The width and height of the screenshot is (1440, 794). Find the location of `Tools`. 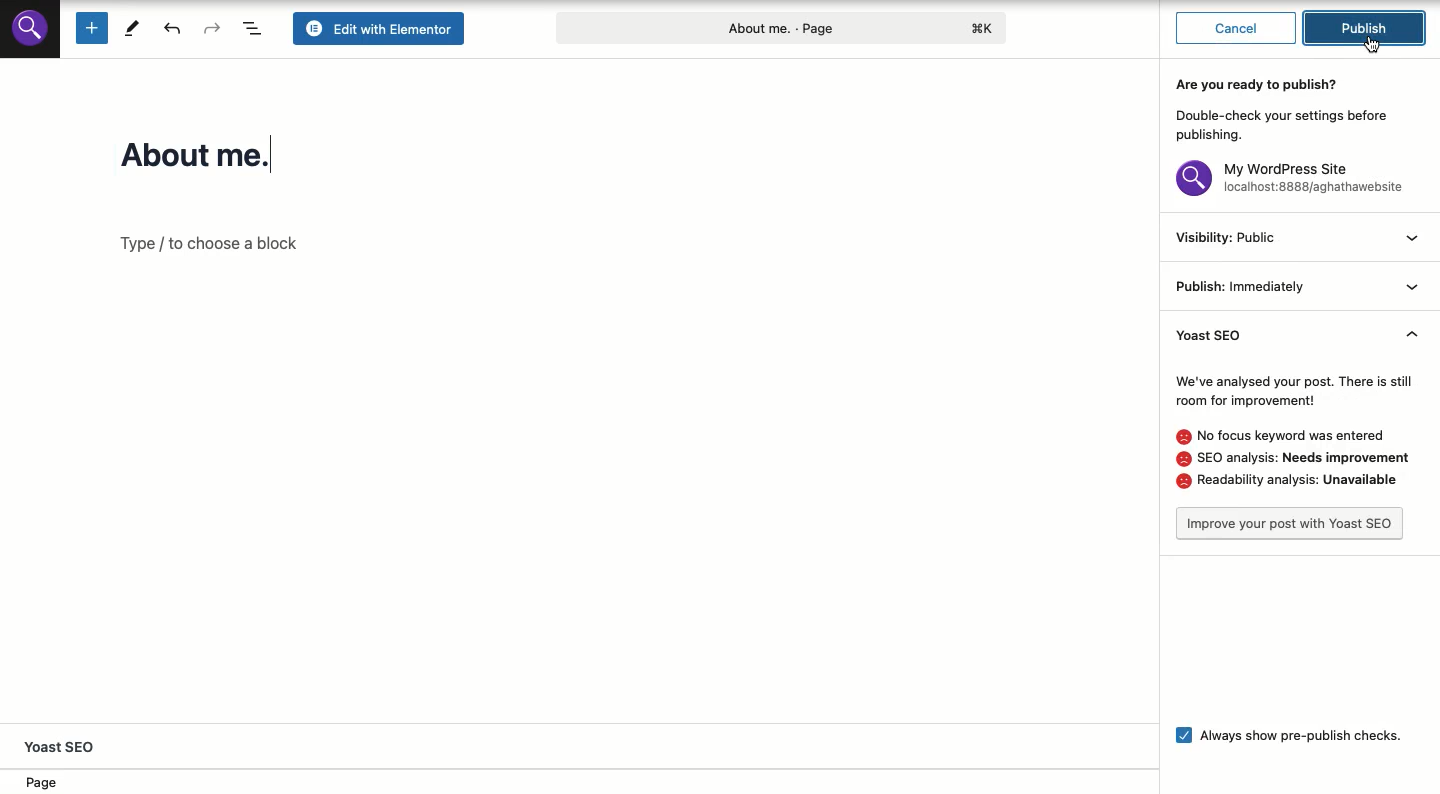

Tools is located at coordinates (132, 27).